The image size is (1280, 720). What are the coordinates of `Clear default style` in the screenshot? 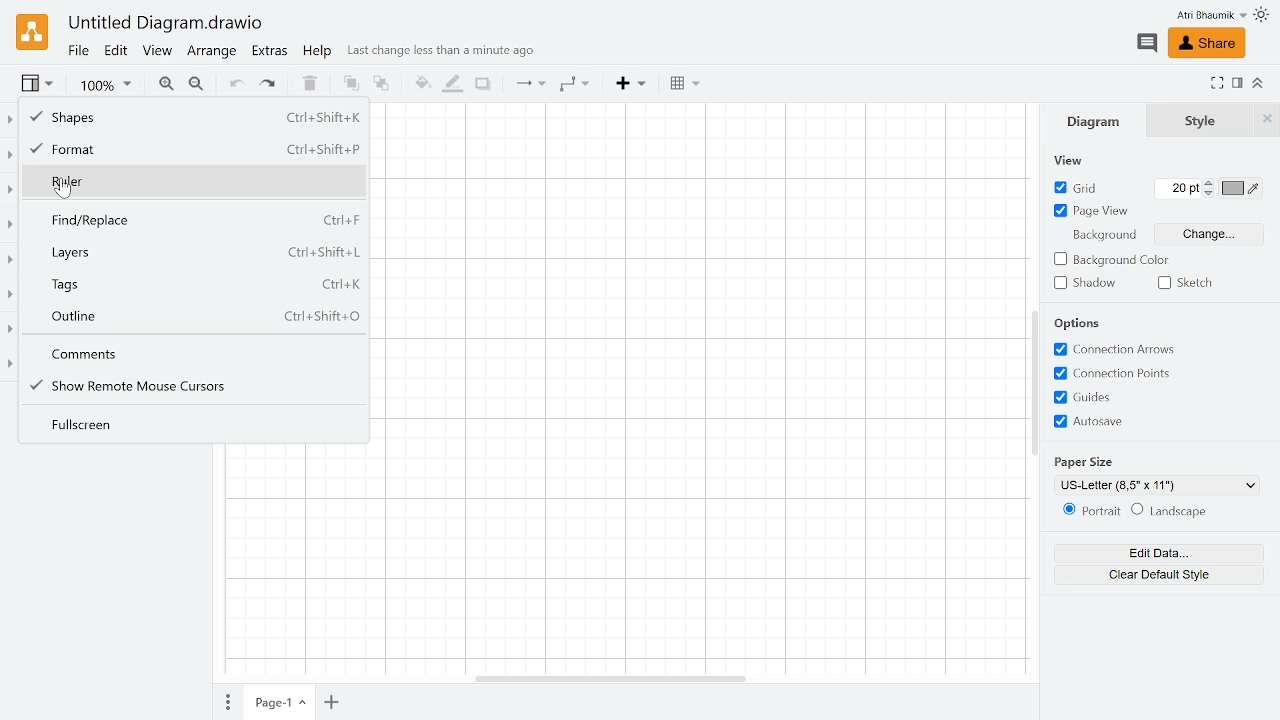 It's located at (1157, 574).